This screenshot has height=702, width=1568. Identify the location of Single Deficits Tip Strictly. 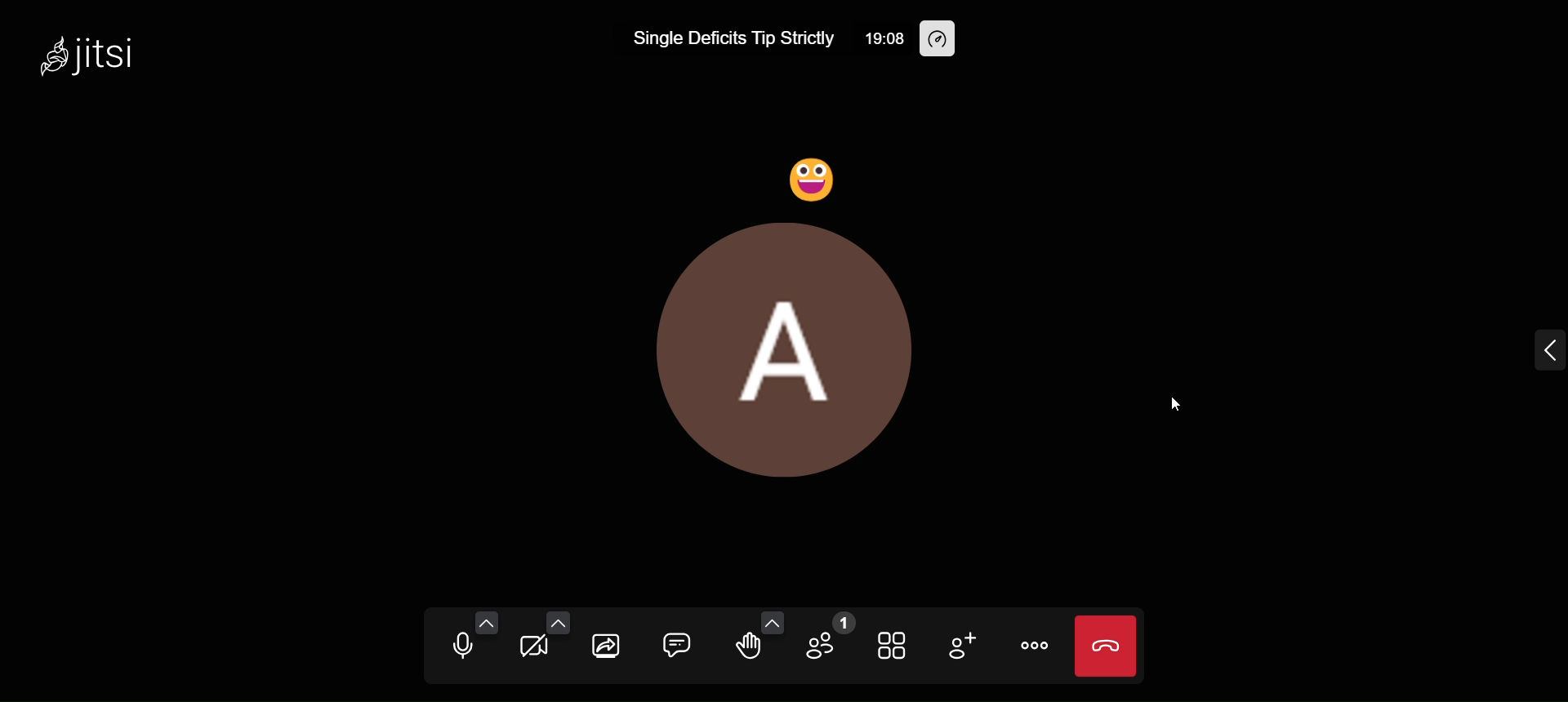
(730, 39).